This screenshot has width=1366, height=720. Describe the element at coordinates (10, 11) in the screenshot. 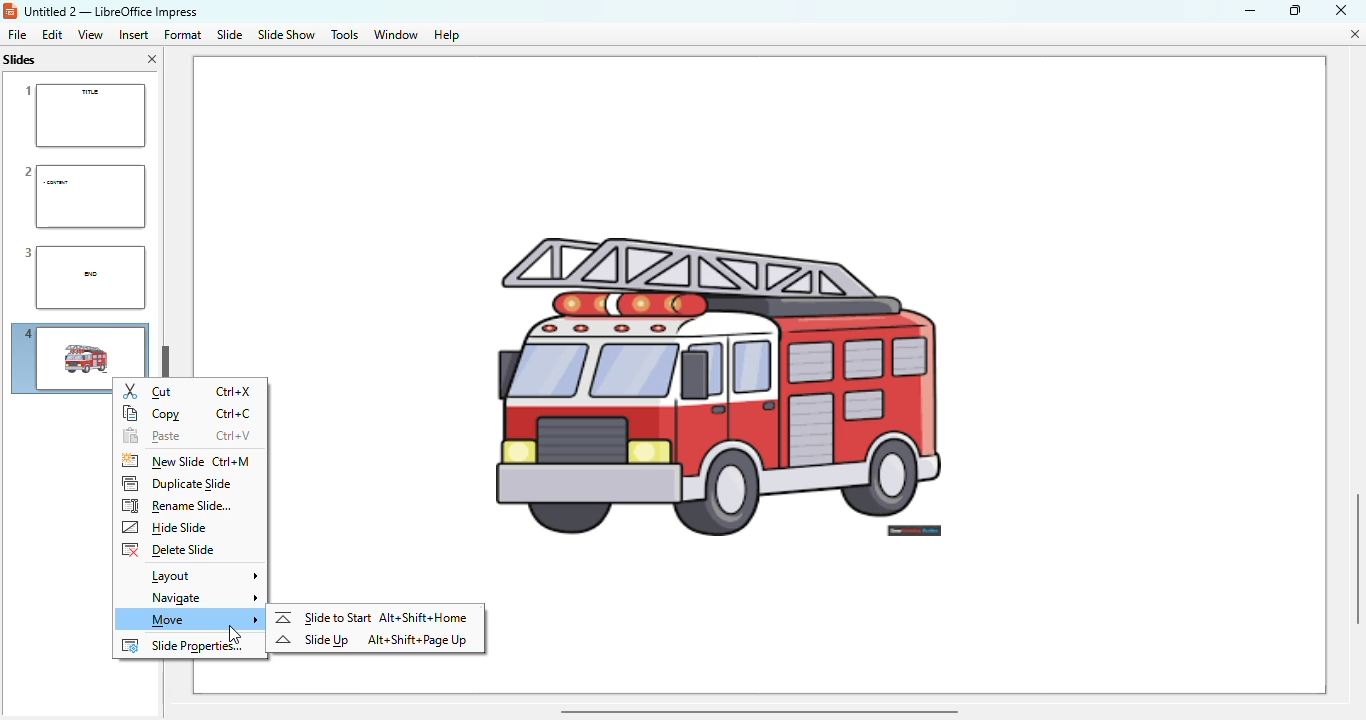

I see `logo` at that location.